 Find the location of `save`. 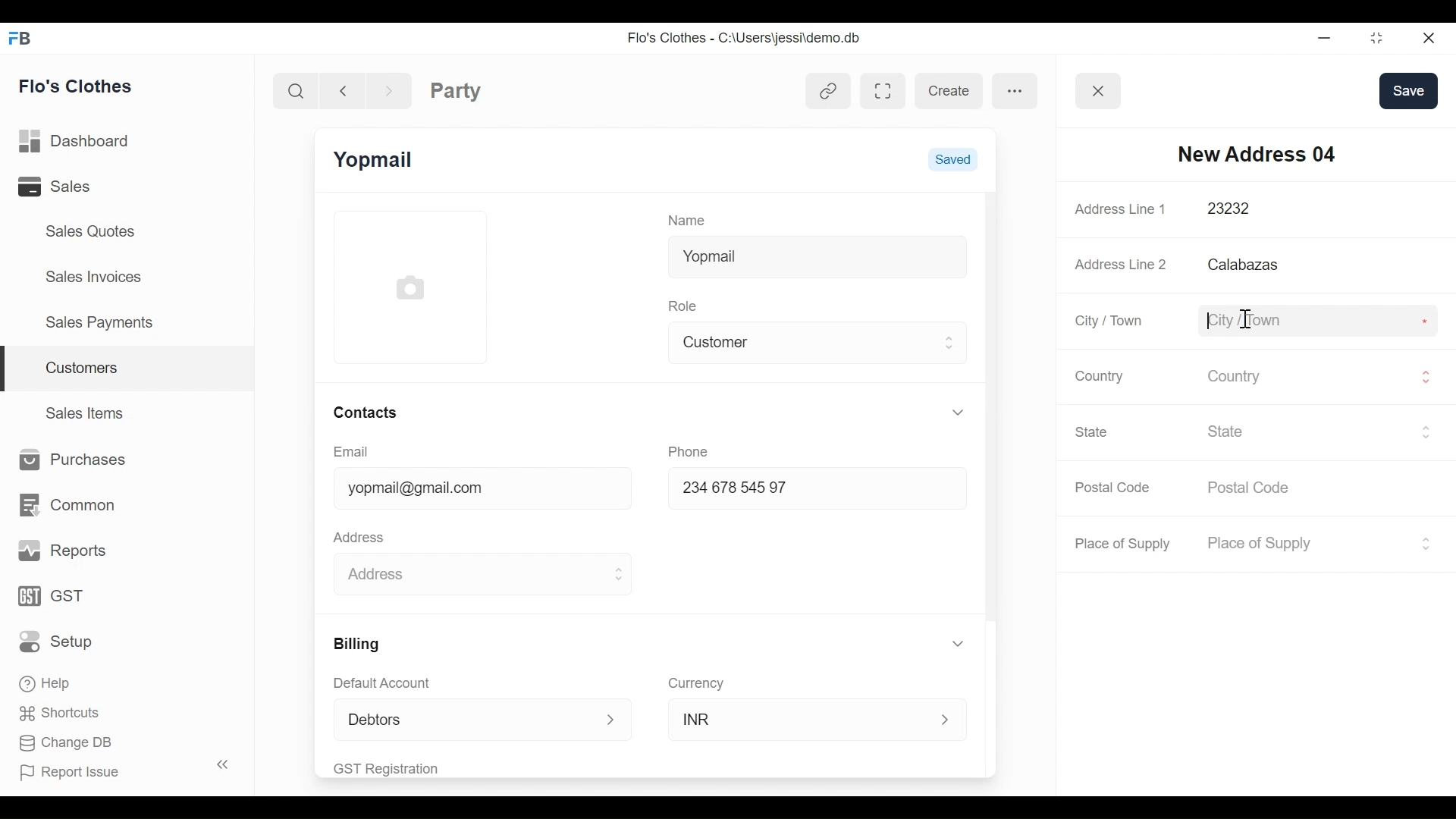

save is located at coordinates (1408, 90).